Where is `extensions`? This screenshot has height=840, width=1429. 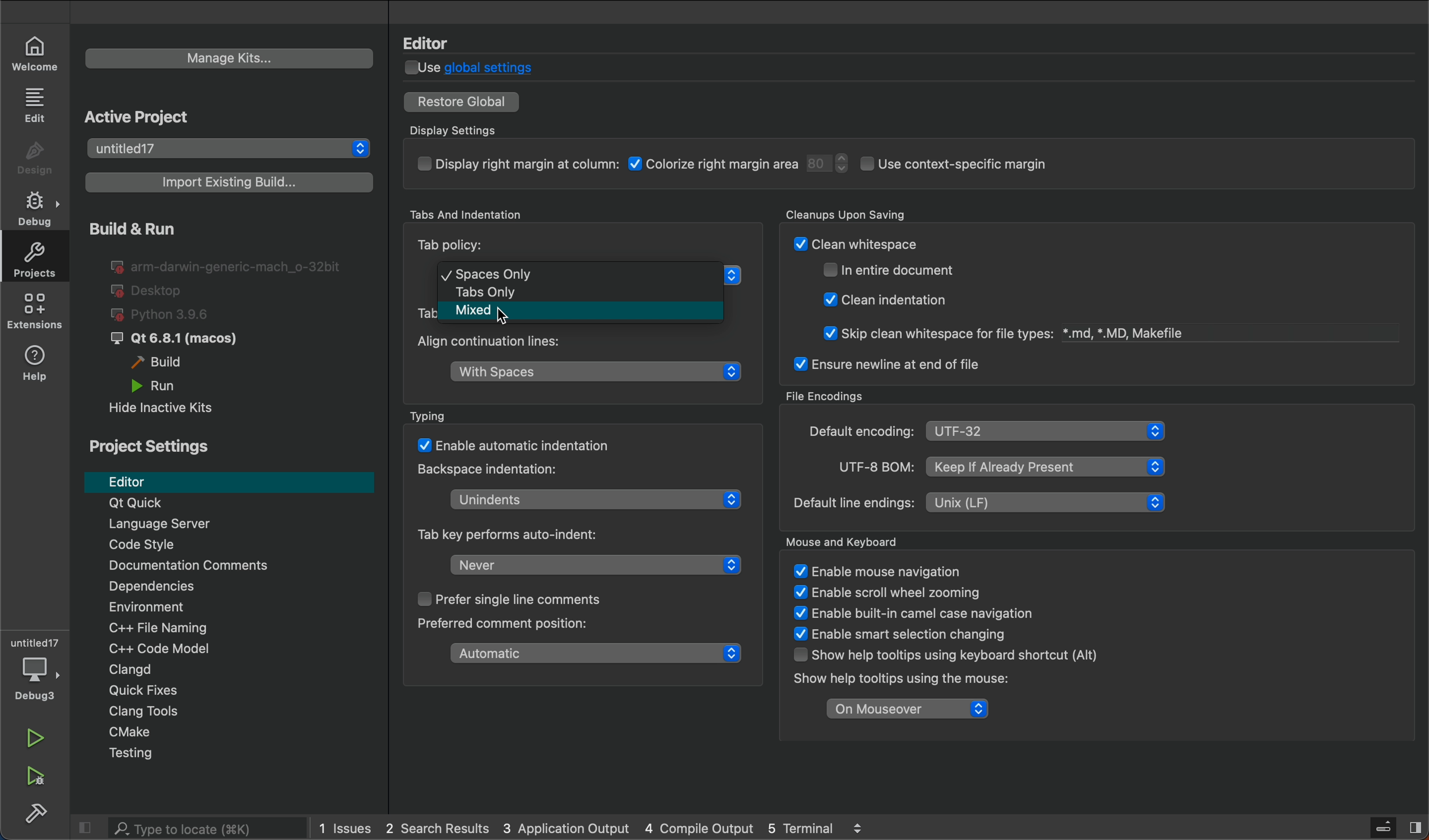 extensions is located at coordinates (39, 313).